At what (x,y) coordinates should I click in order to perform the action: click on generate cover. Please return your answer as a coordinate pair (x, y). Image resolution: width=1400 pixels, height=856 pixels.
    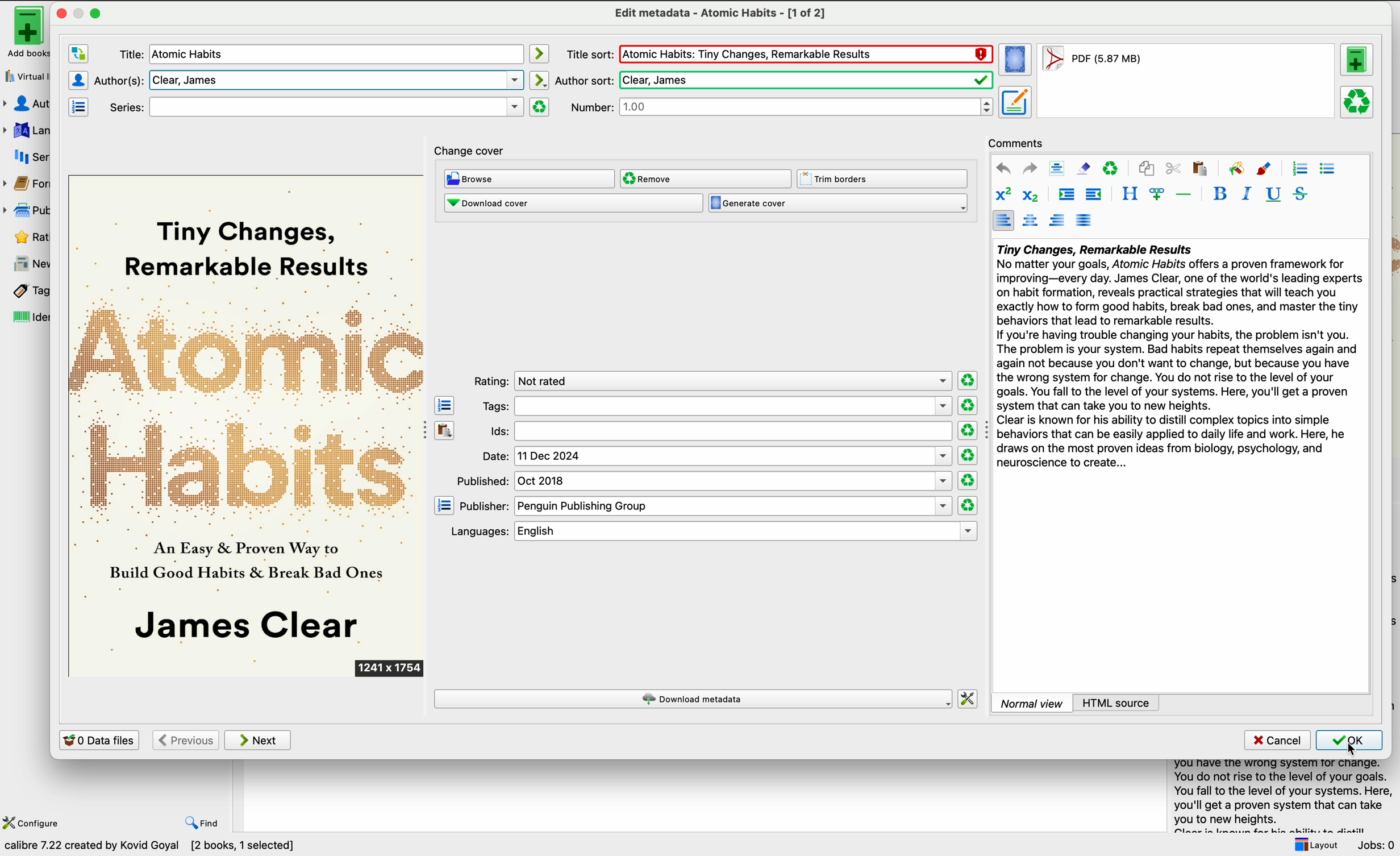
    Looking at the image, I should click on (838, 203).